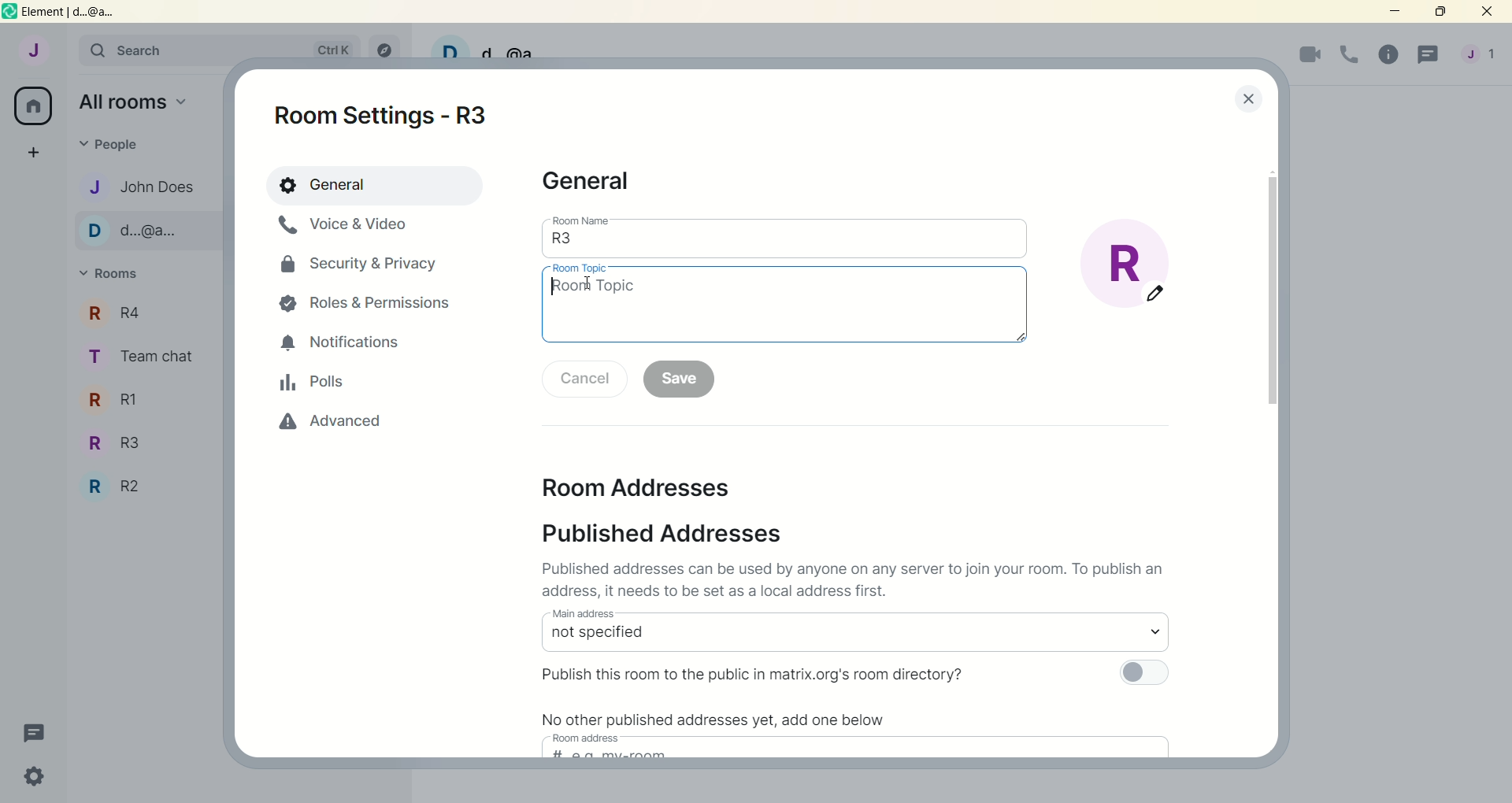  Describe the element at coordinates (588, 182) in the screenshot. I see `general` at that location.